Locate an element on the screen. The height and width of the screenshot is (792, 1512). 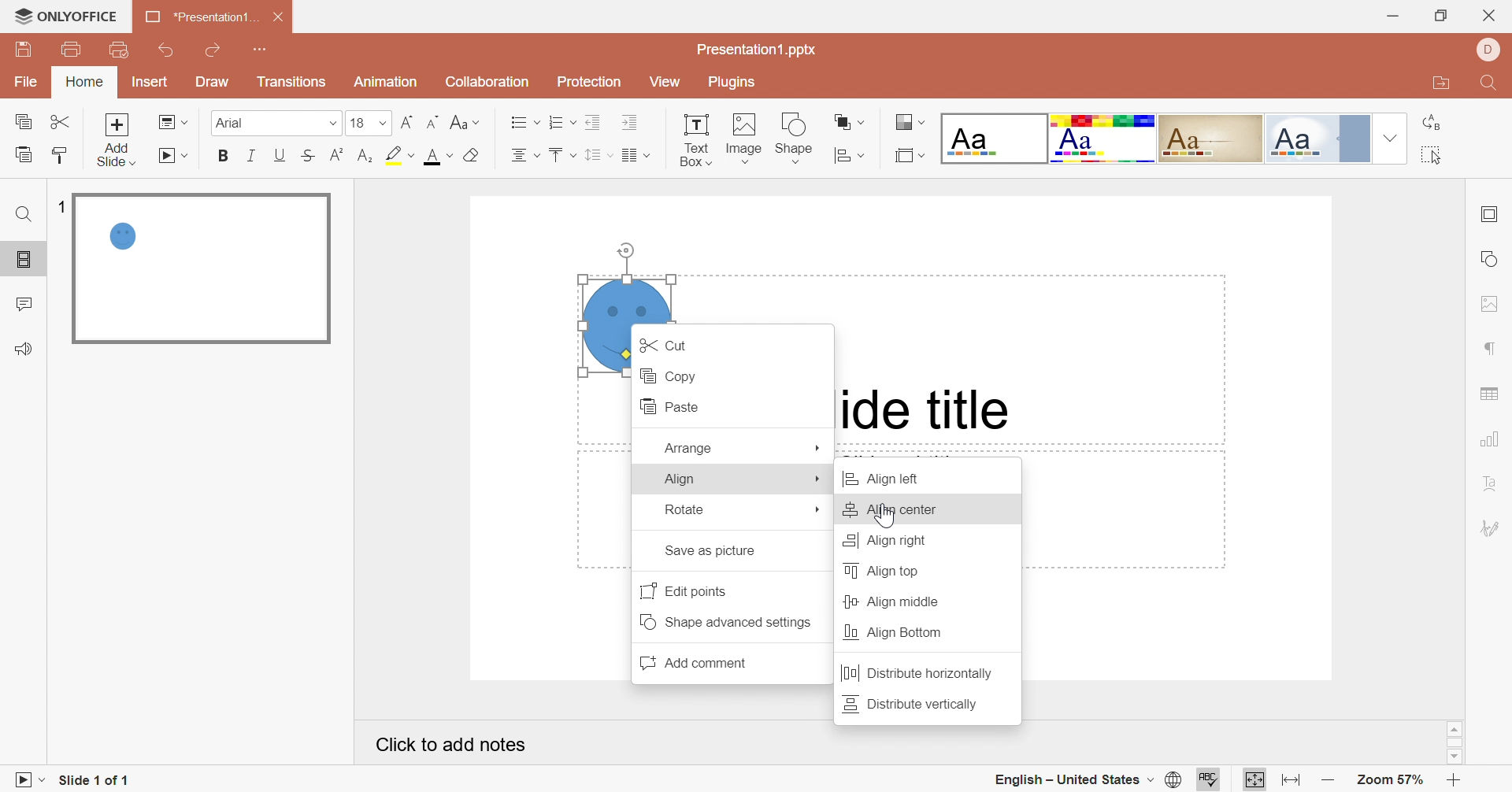
Cut is located at coordinates (63, 121).